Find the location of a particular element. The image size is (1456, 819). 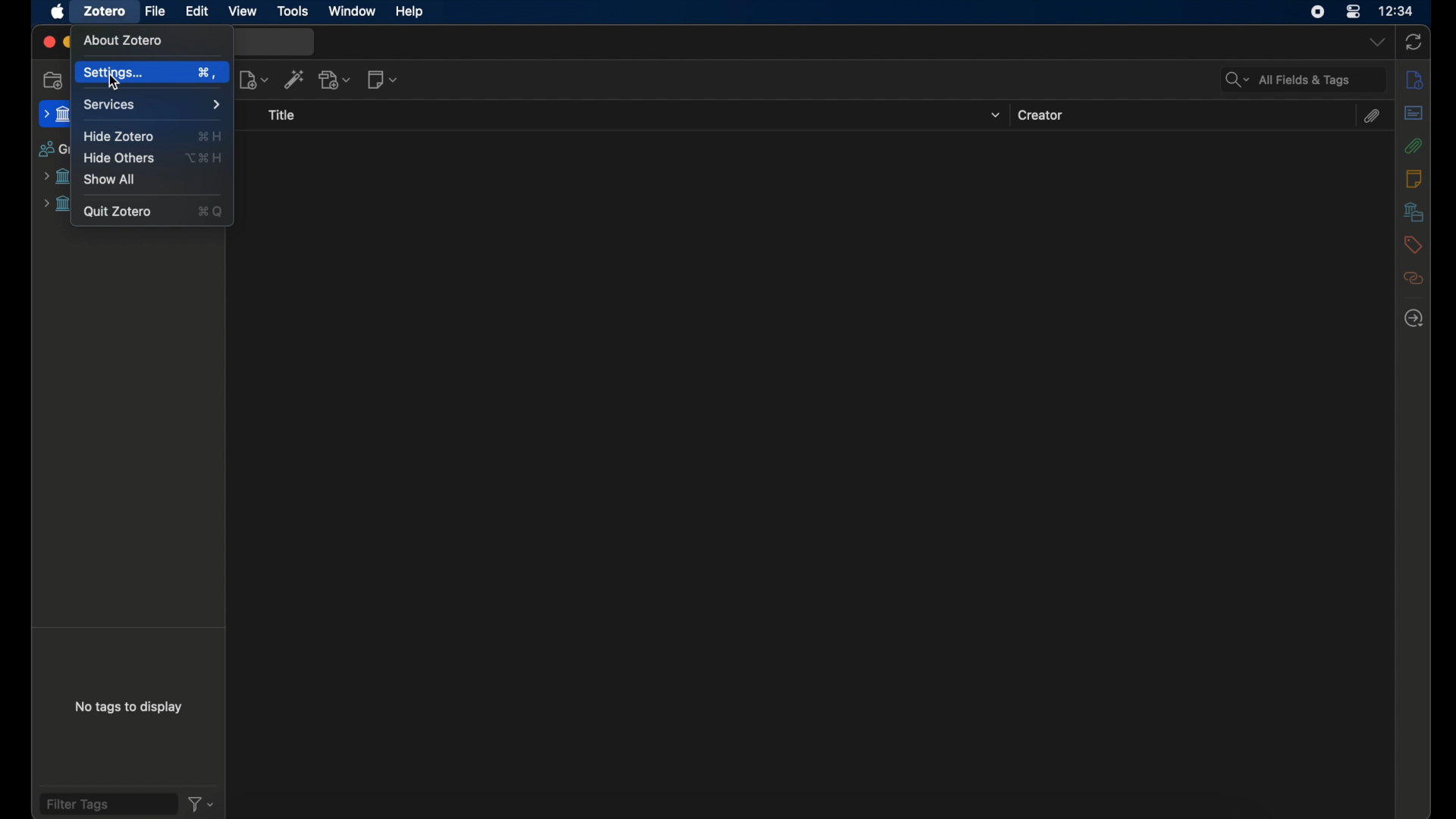

view is located at coordinates (243, 11).